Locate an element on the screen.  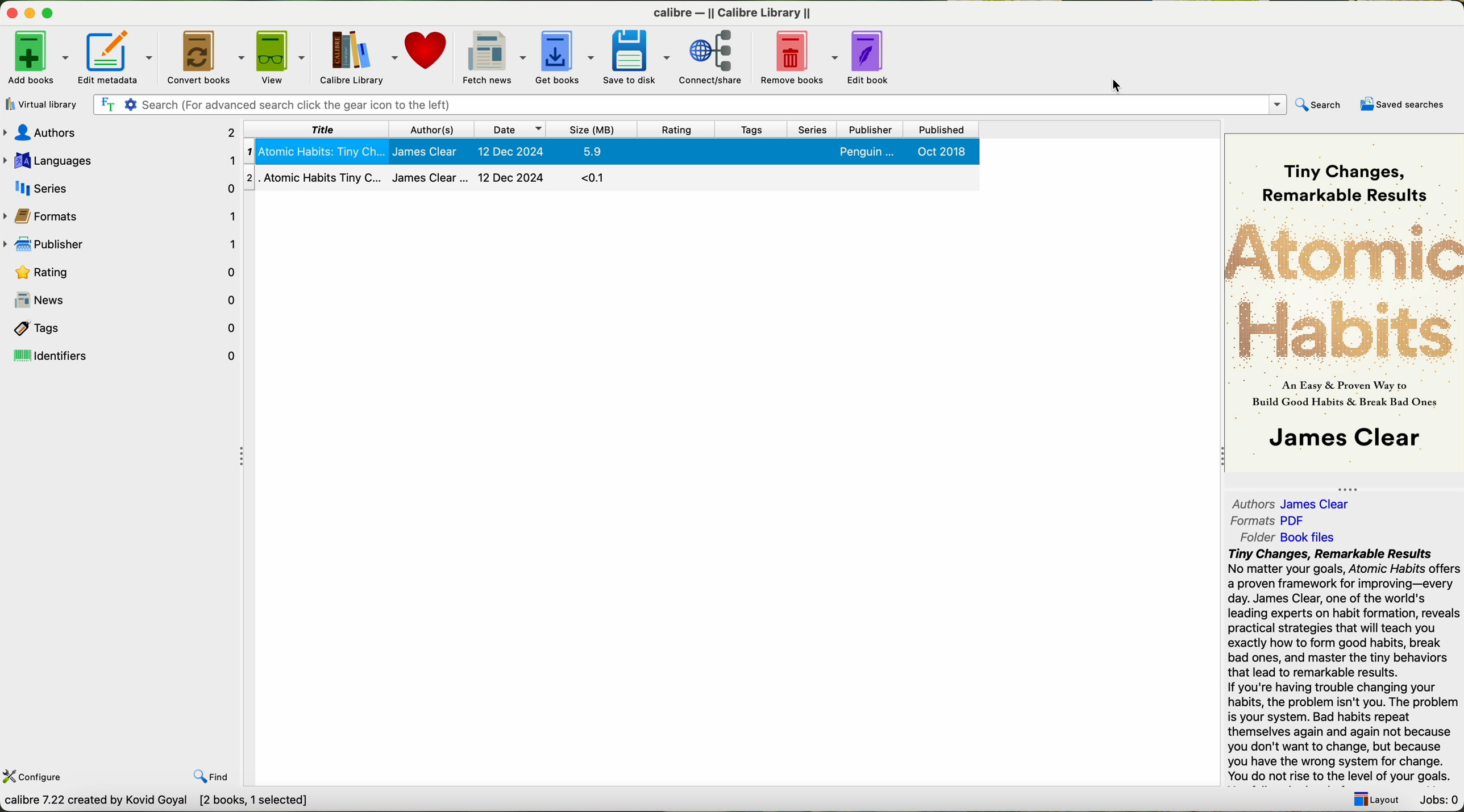
authors is located at coordinates (1294, 504).